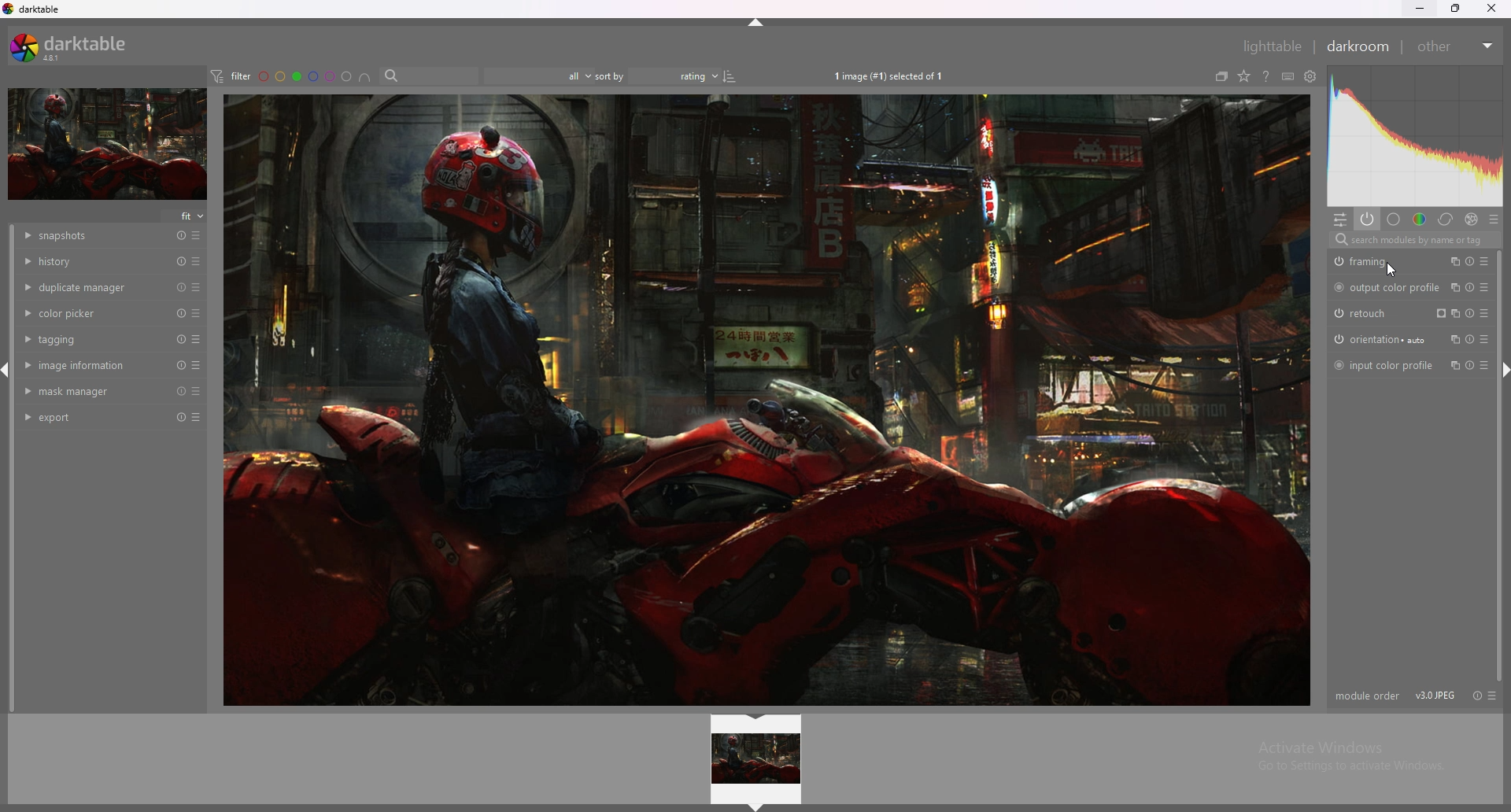 This screenshot has height=812, width=1511. Describe the element at coordinates (186, 216) in the screenshot. I see `fit` at that location.